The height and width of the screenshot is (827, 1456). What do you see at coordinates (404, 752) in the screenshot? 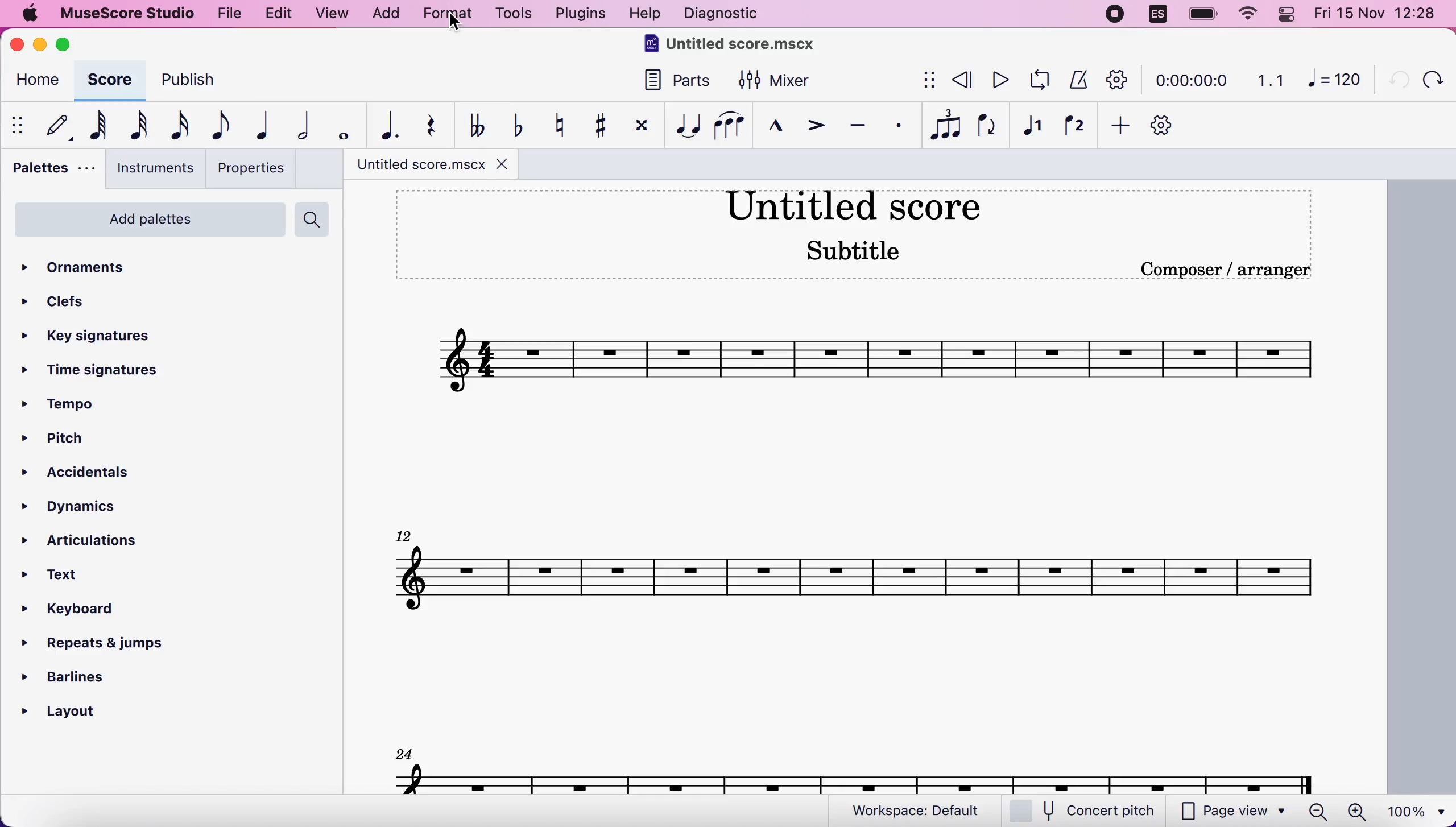
I see `24` at bounding box center [404, 752].